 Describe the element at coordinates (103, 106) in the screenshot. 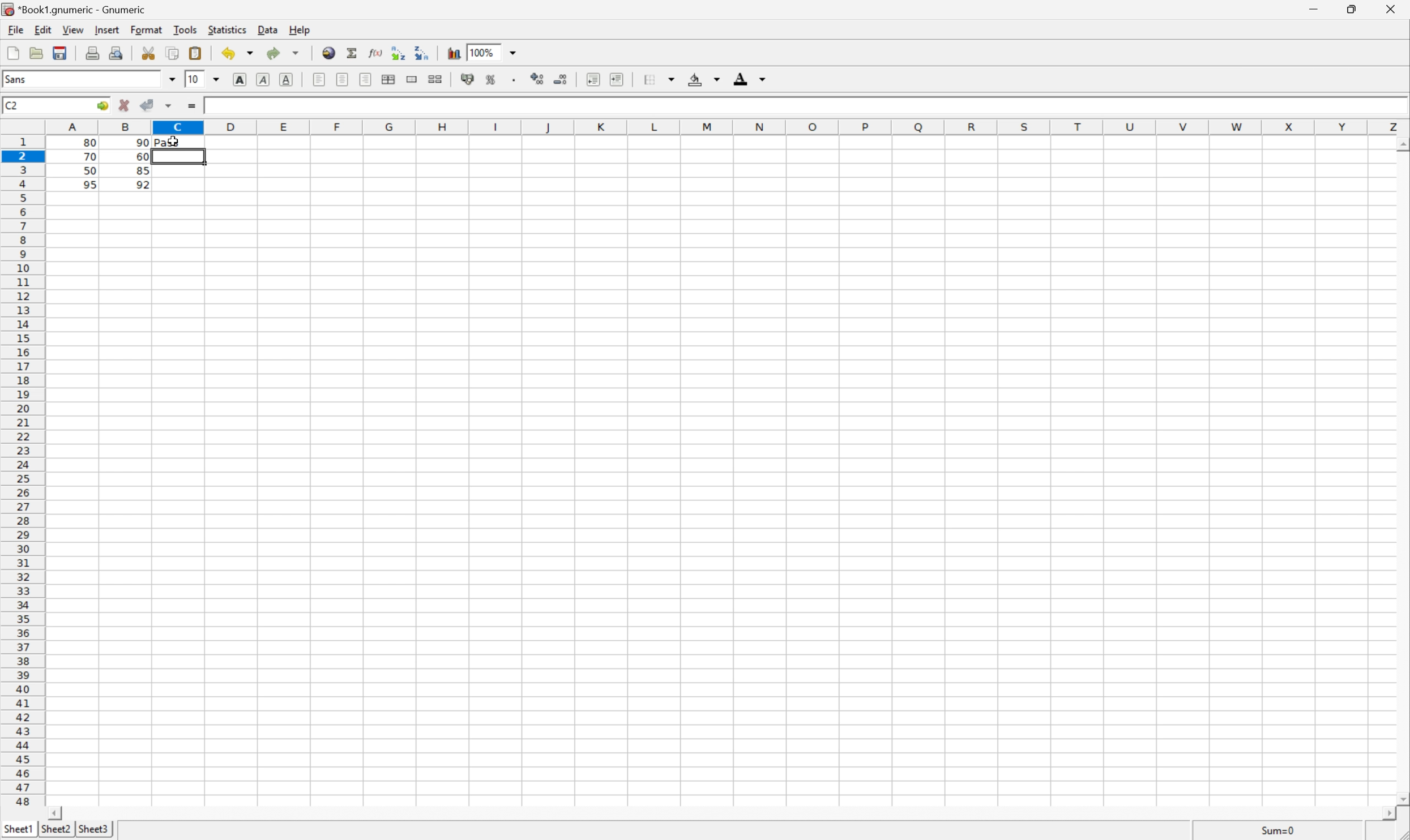

I see `Go to...` at that location.